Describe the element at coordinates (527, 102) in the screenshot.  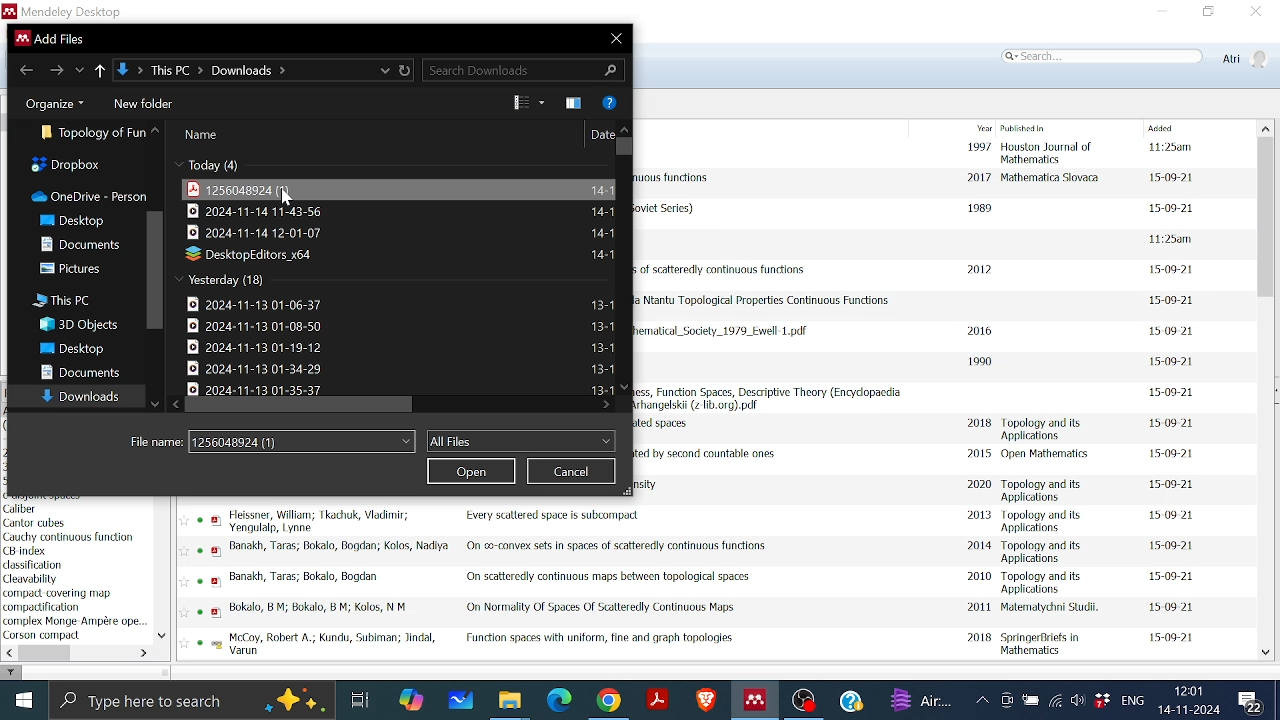
I see `View` at that location.